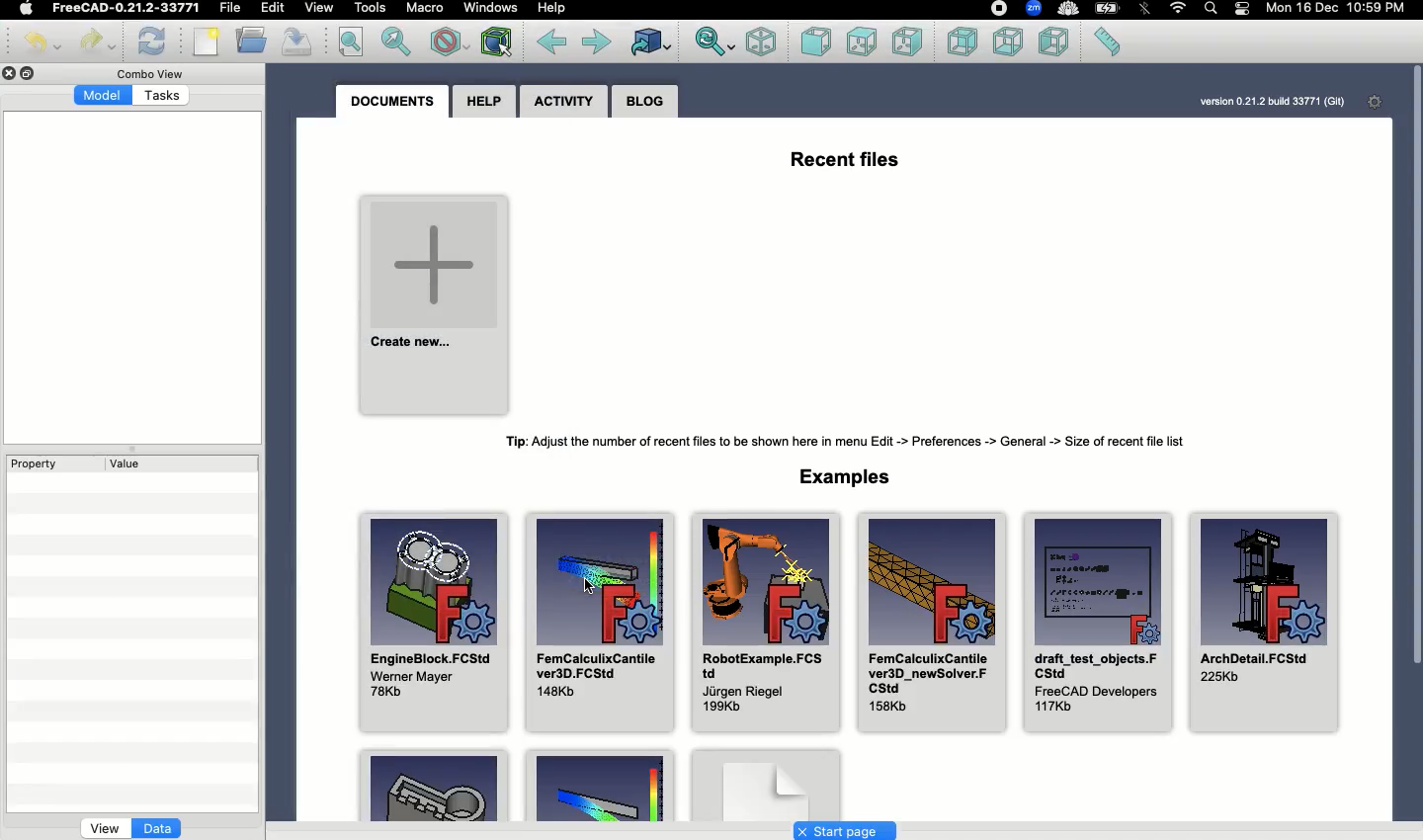 The image size is (1423, 840). What do you see at coordinates (600, 624) in the screenshot?
I see `FemCalculixCantile ver3D.FCStd 148Kb` at bounding box center [600, 624].